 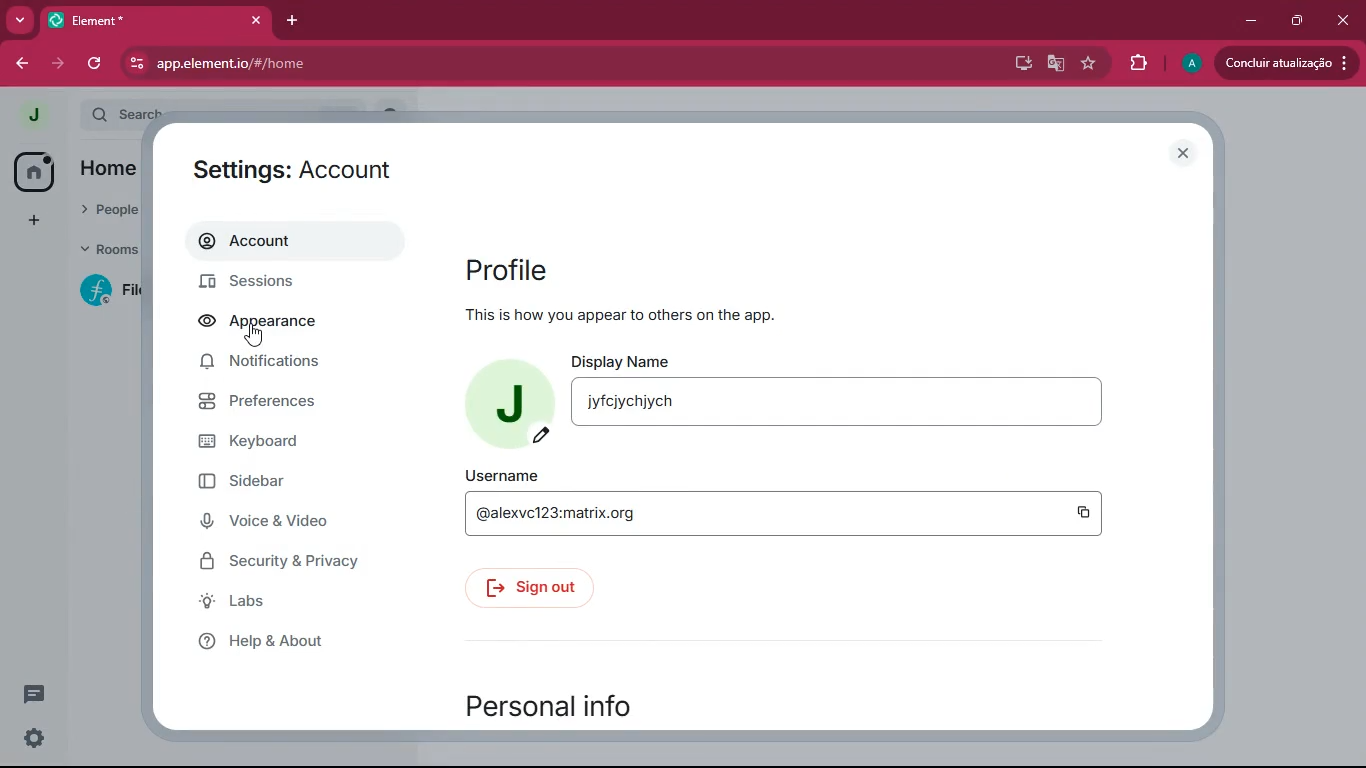 I want to click on Element*, so click(x=143, y=19).